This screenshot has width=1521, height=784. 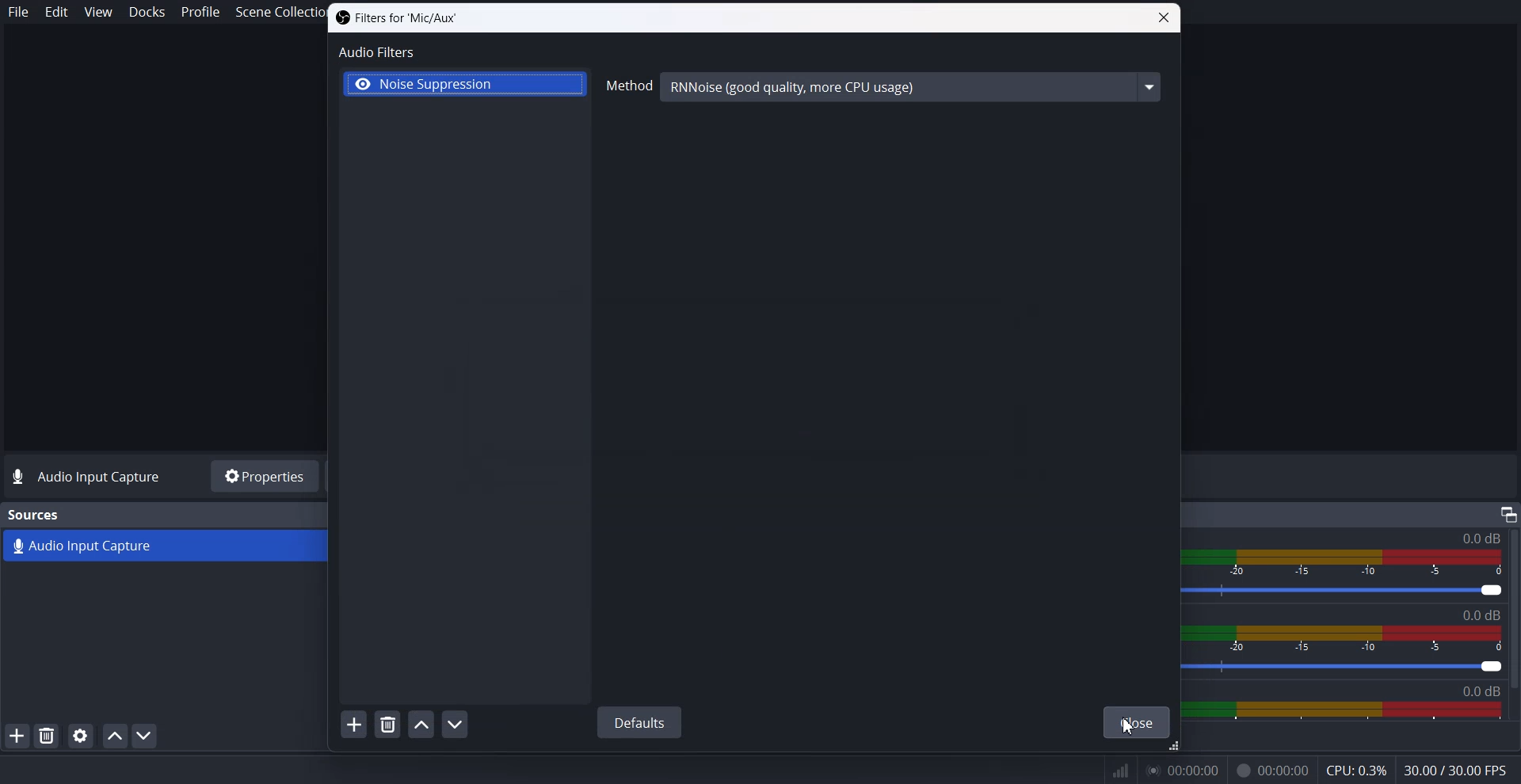 I want to click on Cursor, so click(x=1128, y=725).